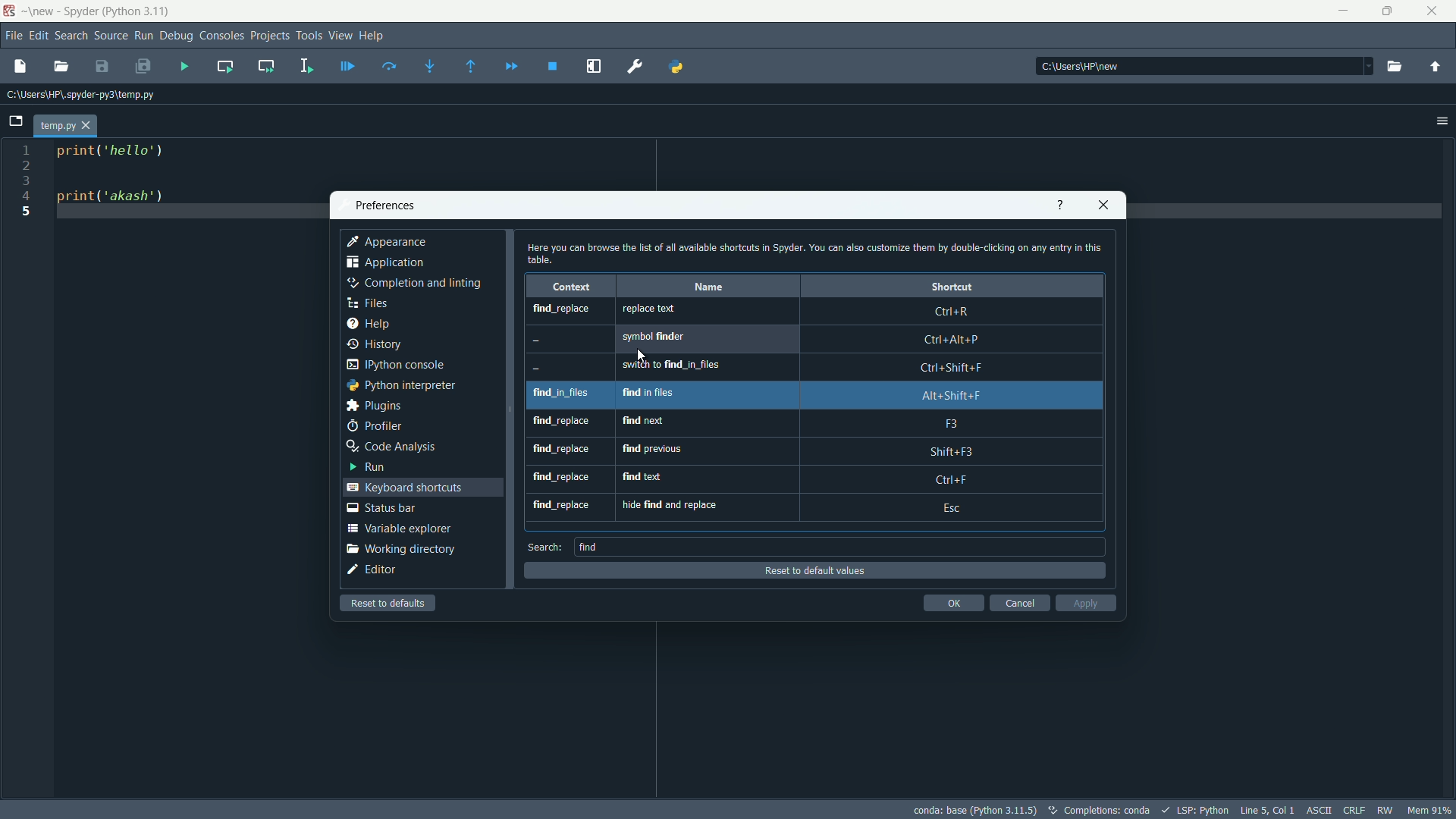 This screenshot has width=1456, height=819. I want to click on find_replace, replace text, Ctrl+R, so click(816, 312).